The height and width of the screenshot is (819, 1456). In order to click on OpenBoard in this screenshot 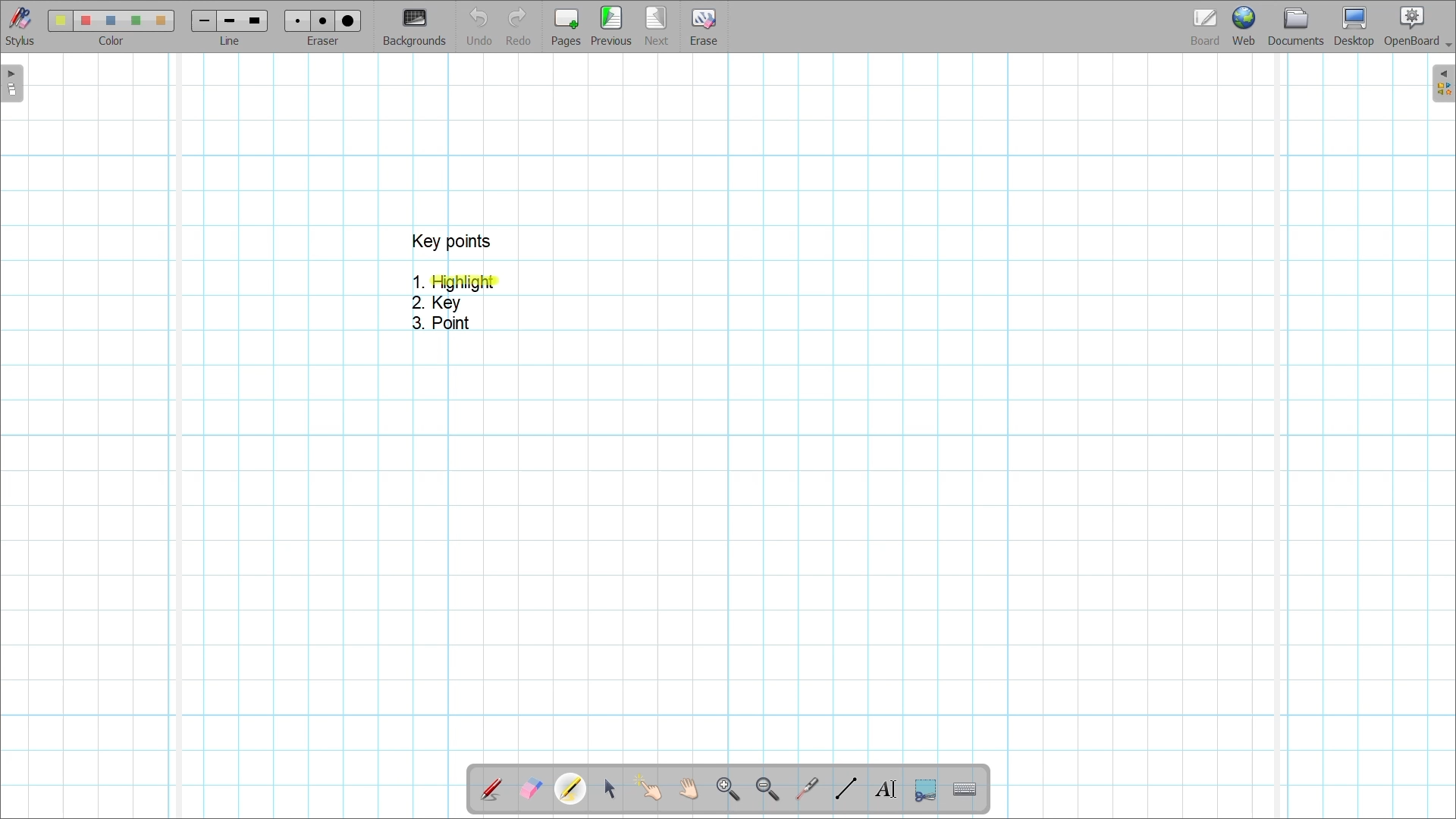, I will do `click(1417, 27)`.